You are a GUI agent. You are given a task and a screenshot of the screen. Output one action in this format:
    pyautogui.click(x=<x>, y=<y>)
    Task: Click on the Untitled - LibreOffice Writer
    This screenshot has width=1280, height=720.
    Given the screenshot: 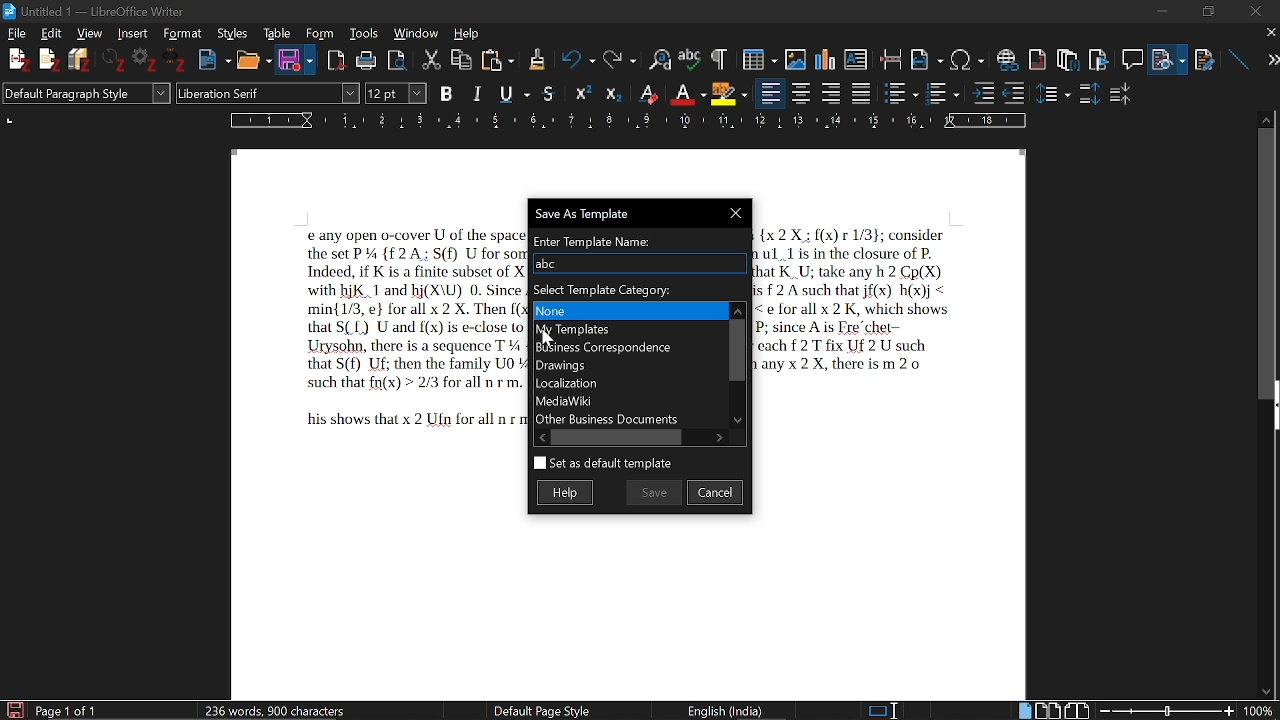 What is the action you would take?
    pyautogui.click(x=112, y=9)
    